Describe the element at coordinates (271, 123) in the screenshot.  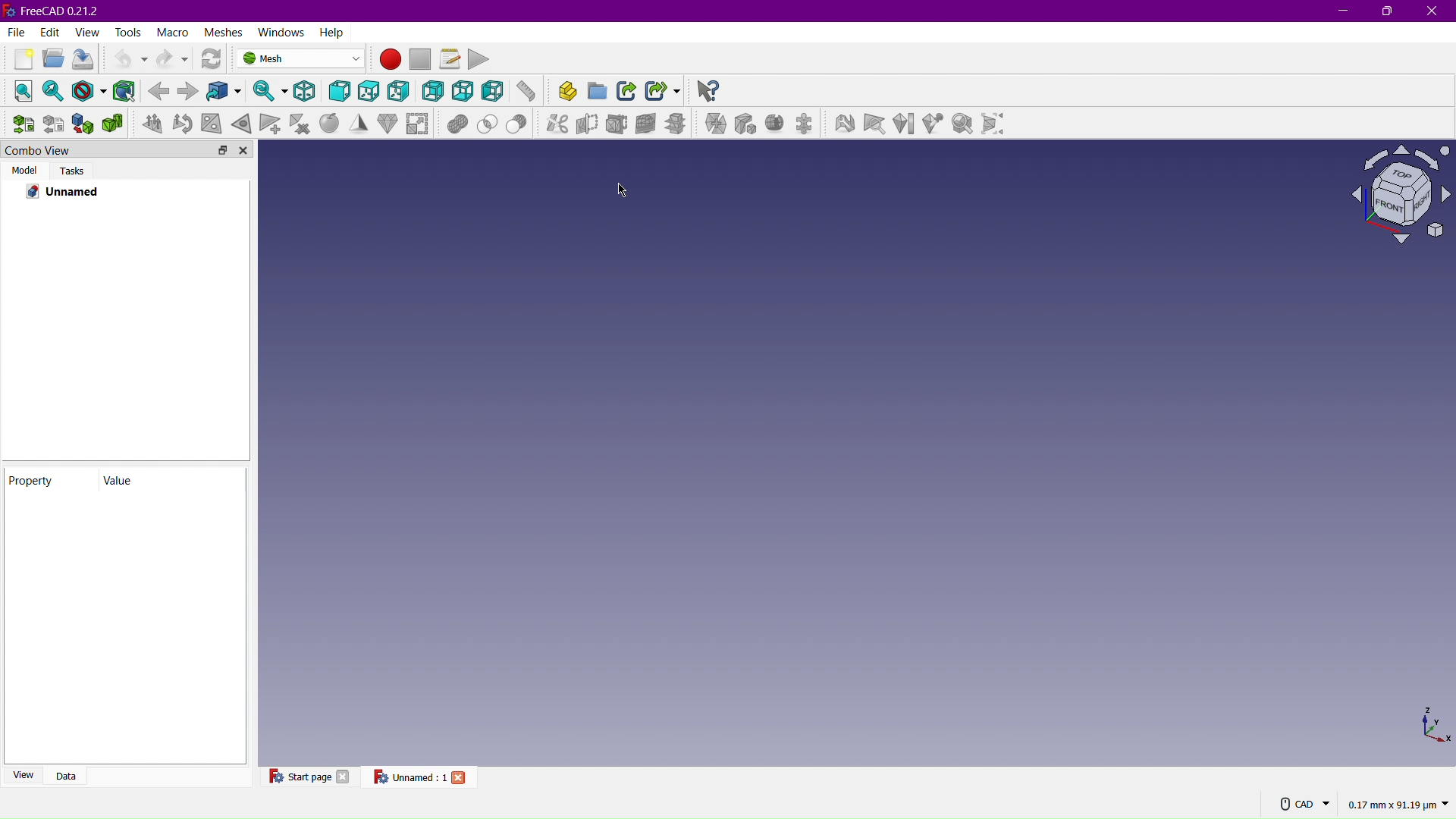
I see `Add Triangle` at that location.